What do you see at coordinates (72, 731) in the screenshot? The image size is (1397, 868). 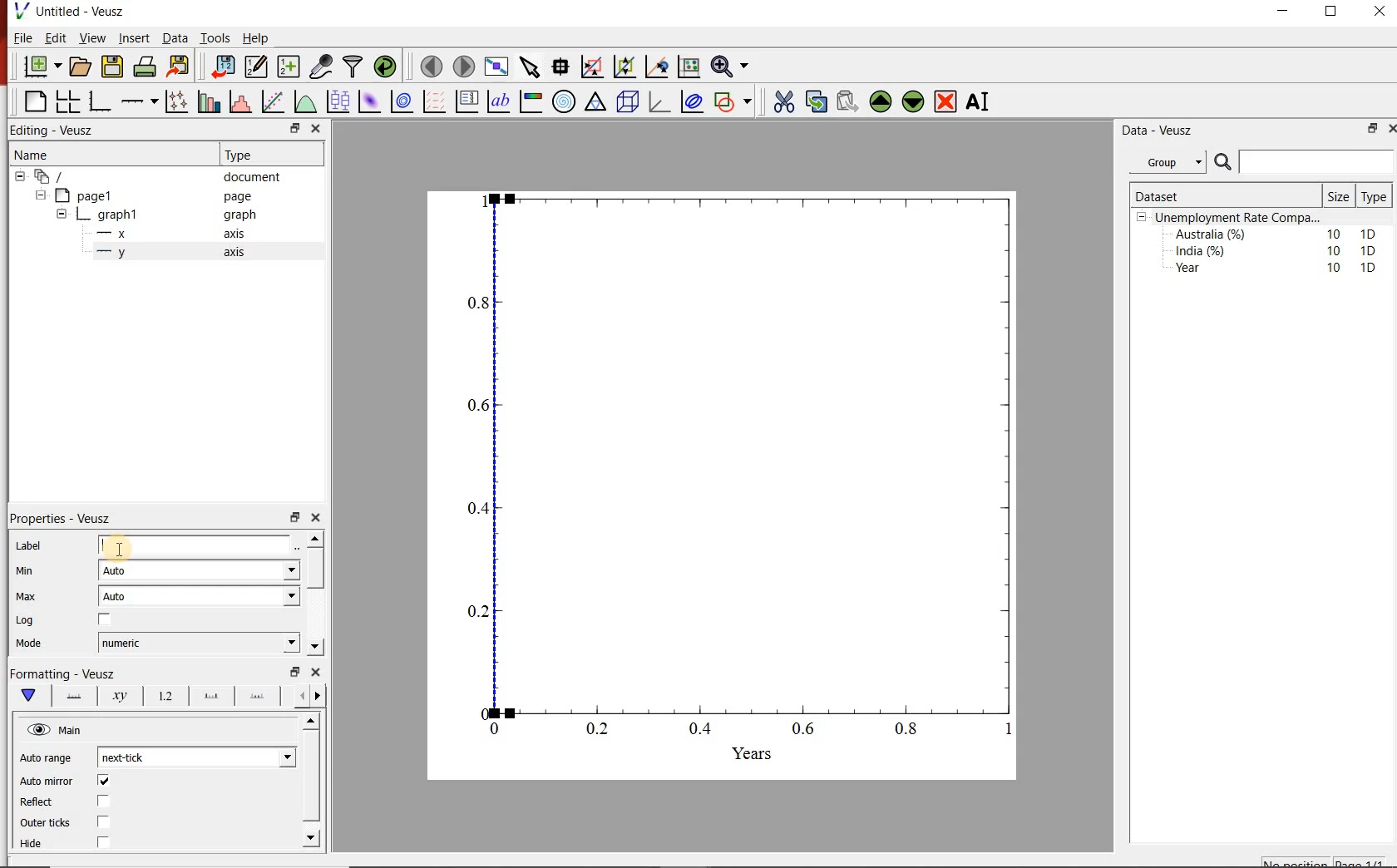 I see `Main` at bounding box center [72, 731].